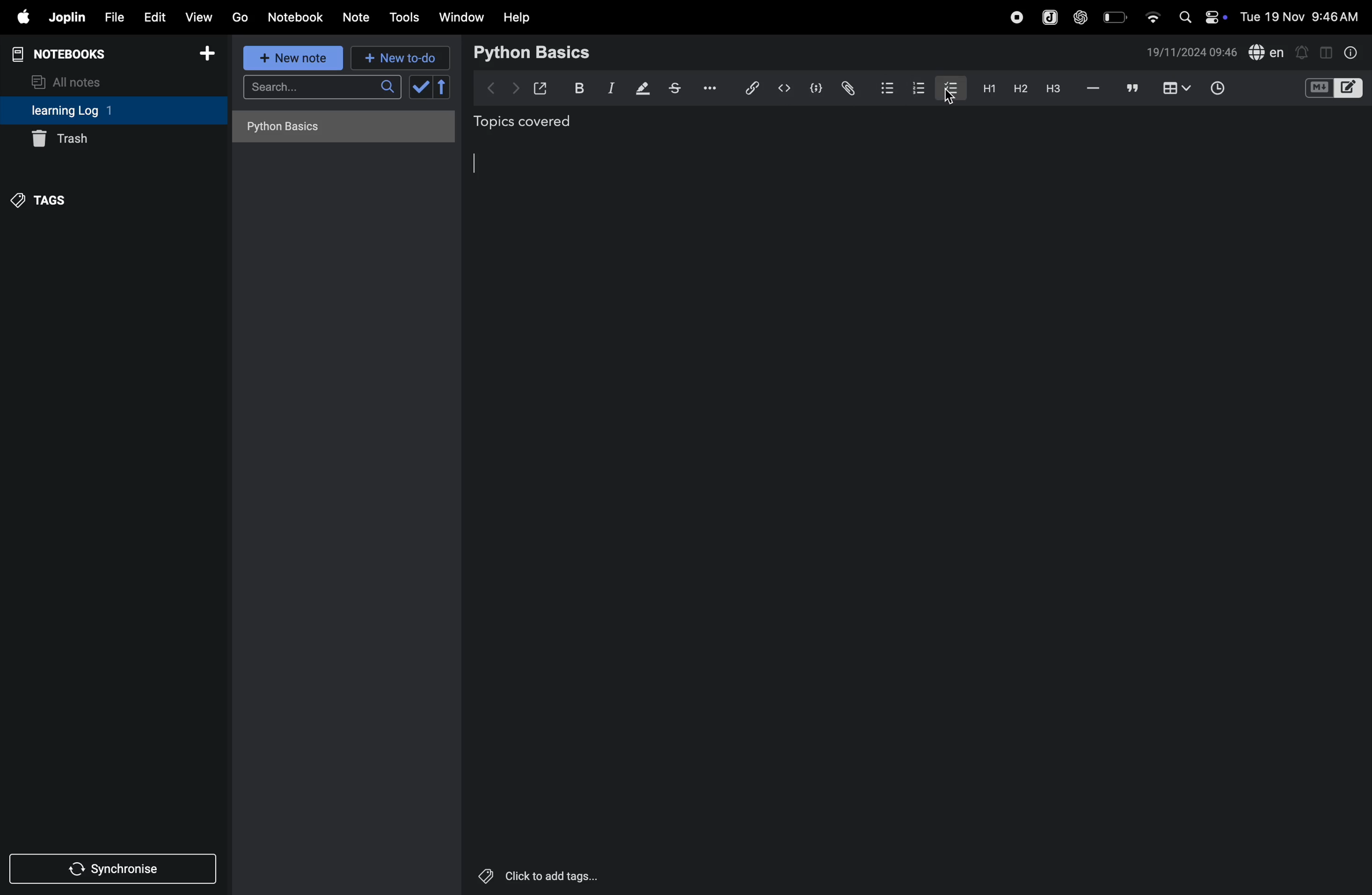  What do you see at coordinates (357, 18) in the screenshot?
I see `notes` at bounding box center [357, 18].